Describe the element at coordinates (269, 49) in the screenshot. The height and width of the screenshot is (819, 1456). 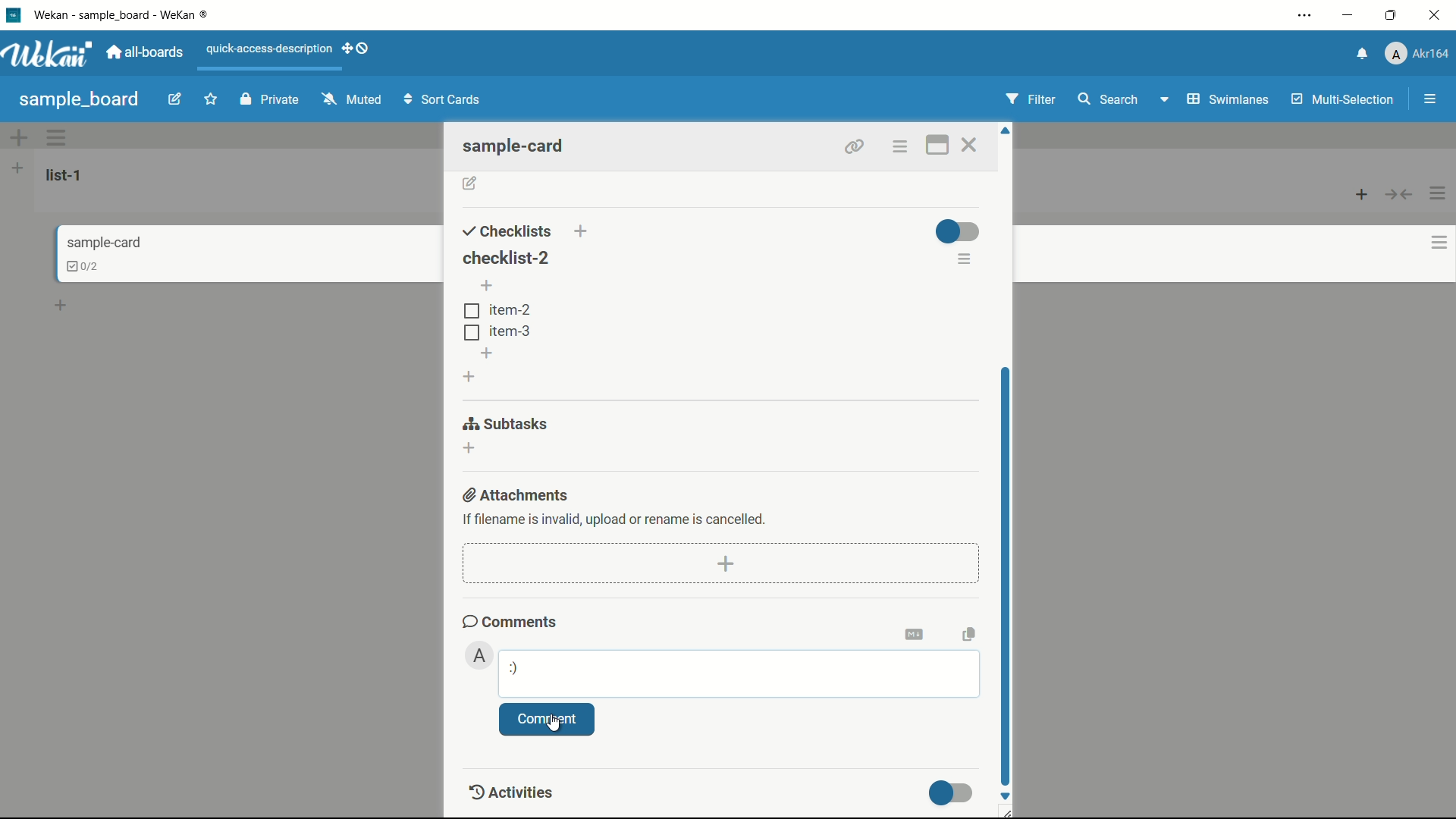
I see `quick-access-description` at that location.